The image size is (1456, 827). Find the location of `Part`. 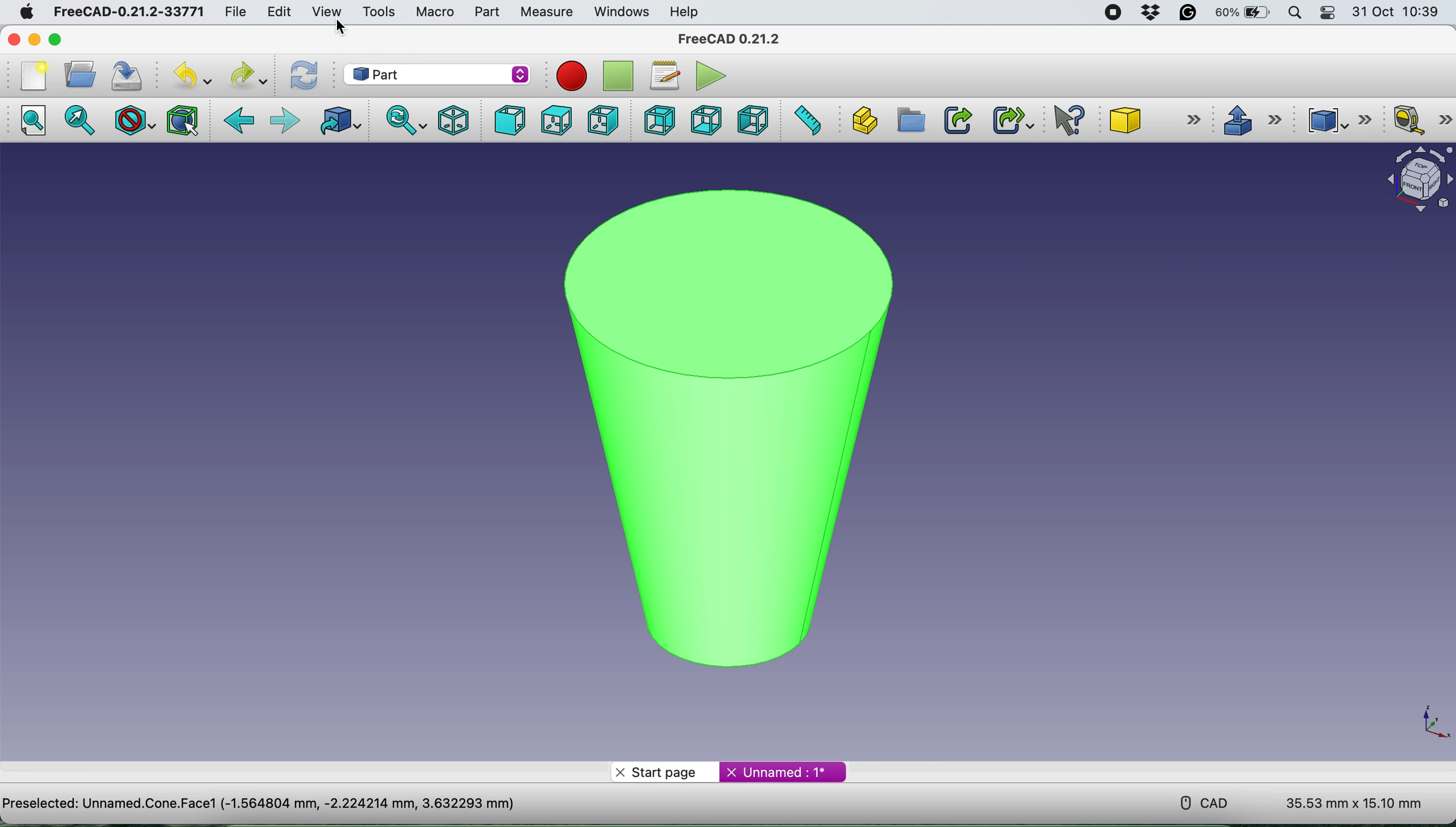

Part is located at coordinates (434, 75).